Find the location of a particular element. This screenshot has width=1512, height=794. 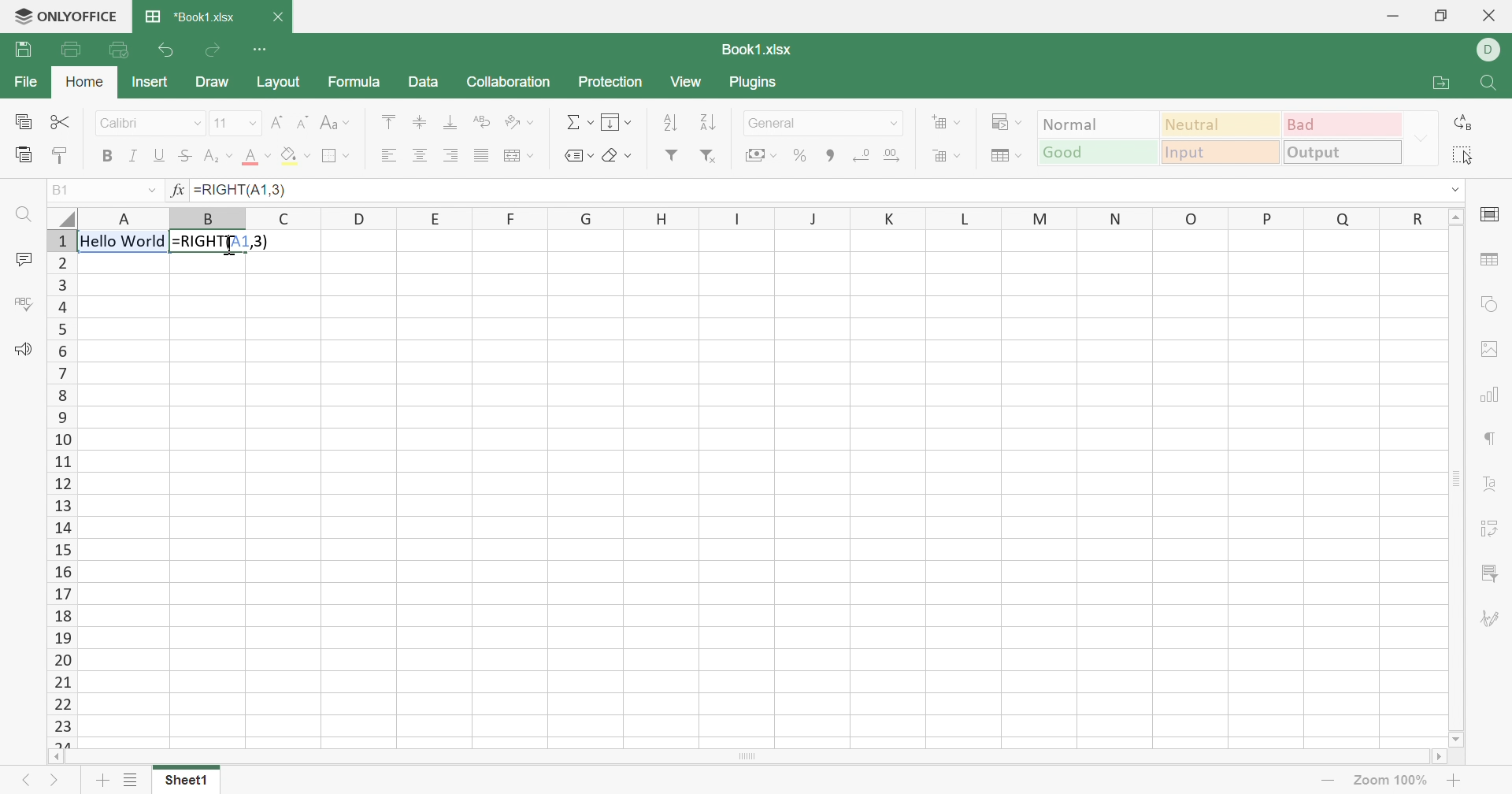

Change case is located at coordinates (336, 121).